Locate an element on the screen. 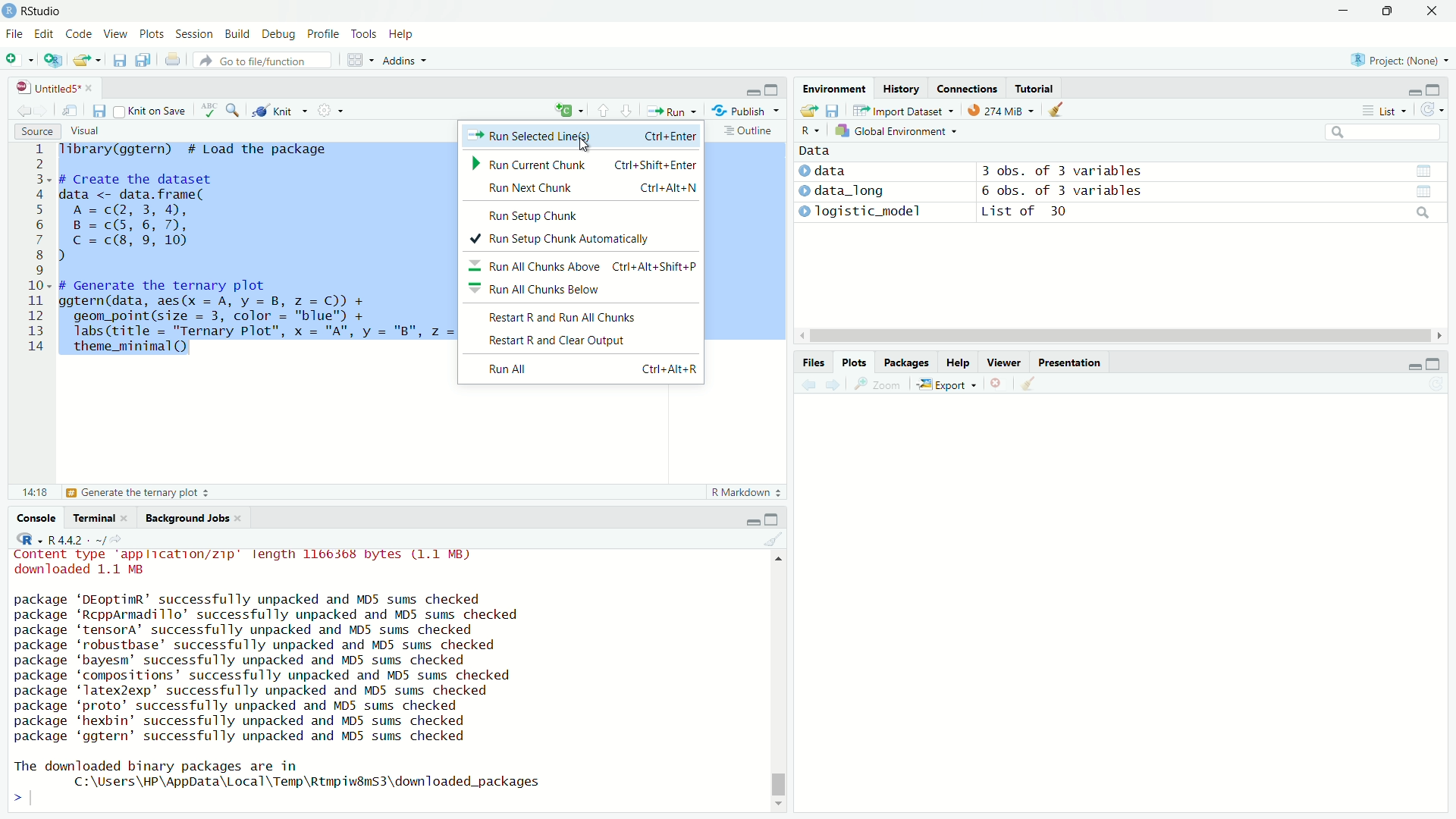 The image size is (1456, 819). R442 - ~ is located at coordinates (68, 539).